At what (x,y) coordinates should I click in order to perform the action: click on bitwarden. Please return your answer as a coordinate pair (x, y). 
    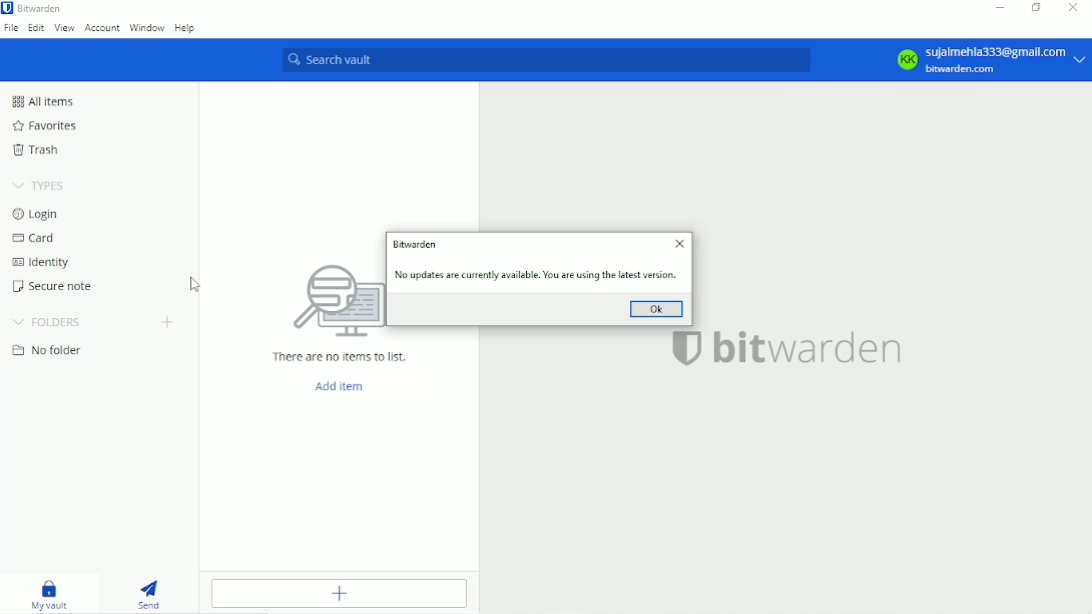
    Looking at the image, I should click on (812, 349).